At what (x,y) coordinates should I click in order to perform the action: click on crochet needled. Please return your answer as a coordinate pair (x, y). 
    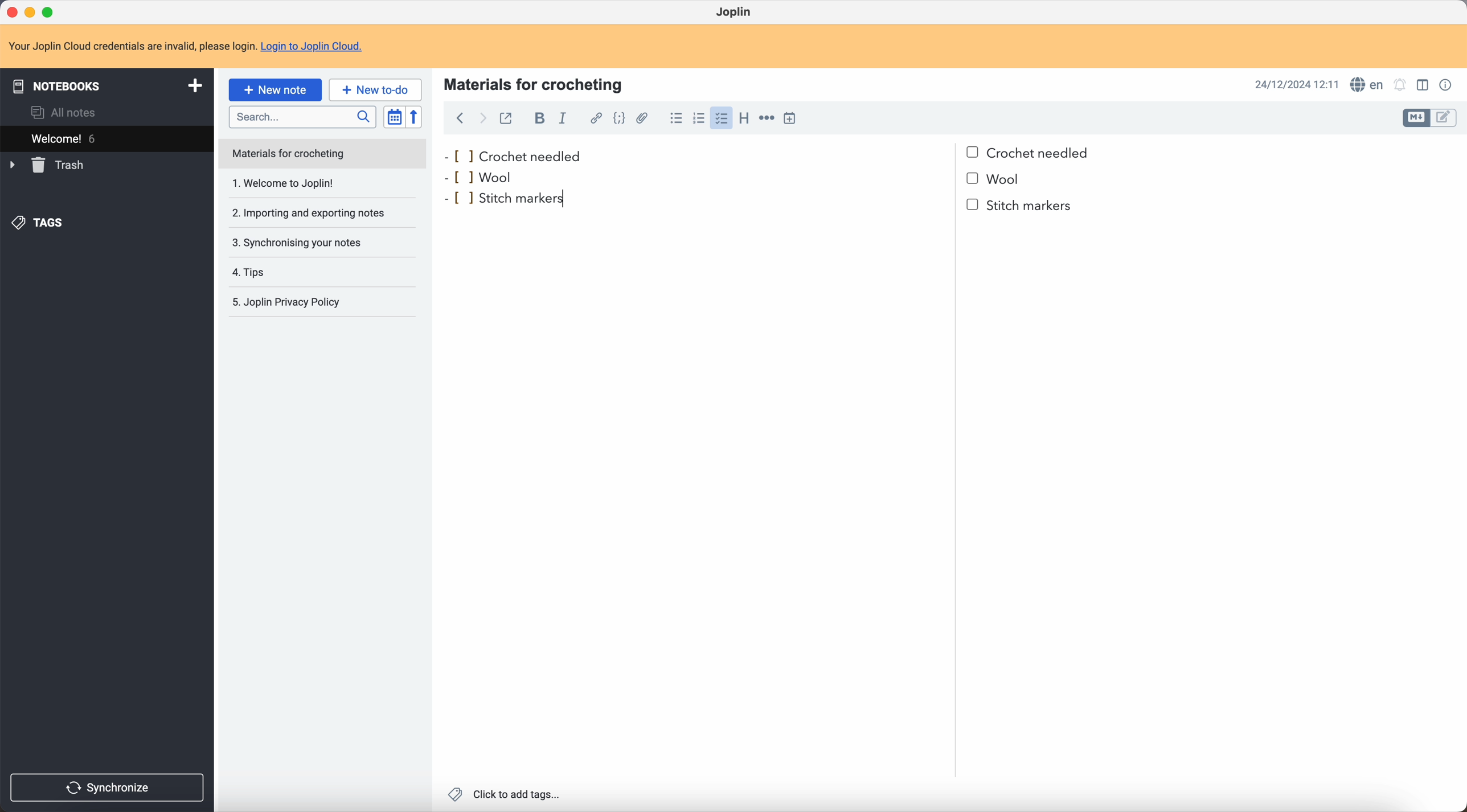
    Looking at the image, I should click on (769, 151).